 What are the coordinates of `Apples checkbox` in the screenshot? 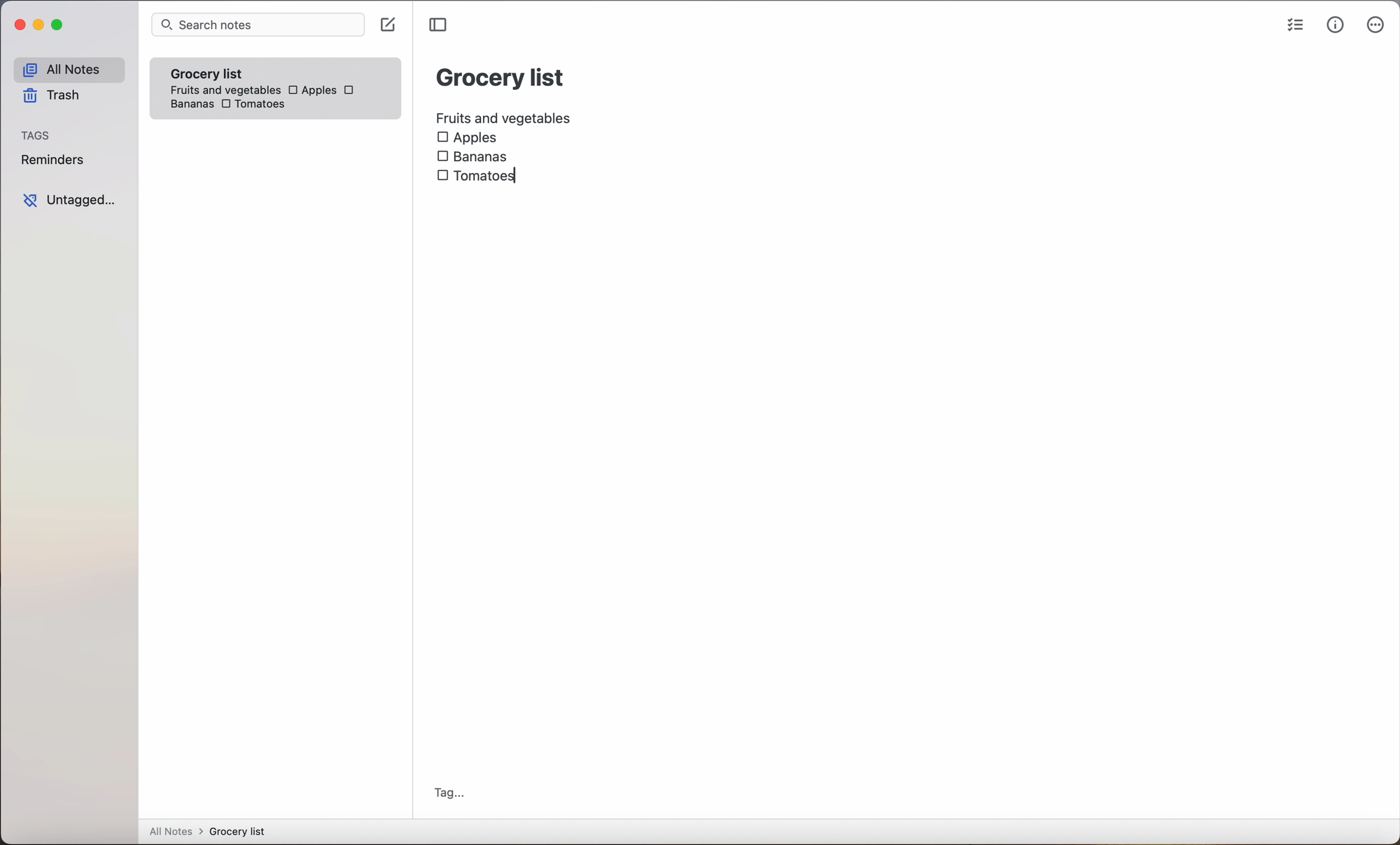 It's located at (311, 90).